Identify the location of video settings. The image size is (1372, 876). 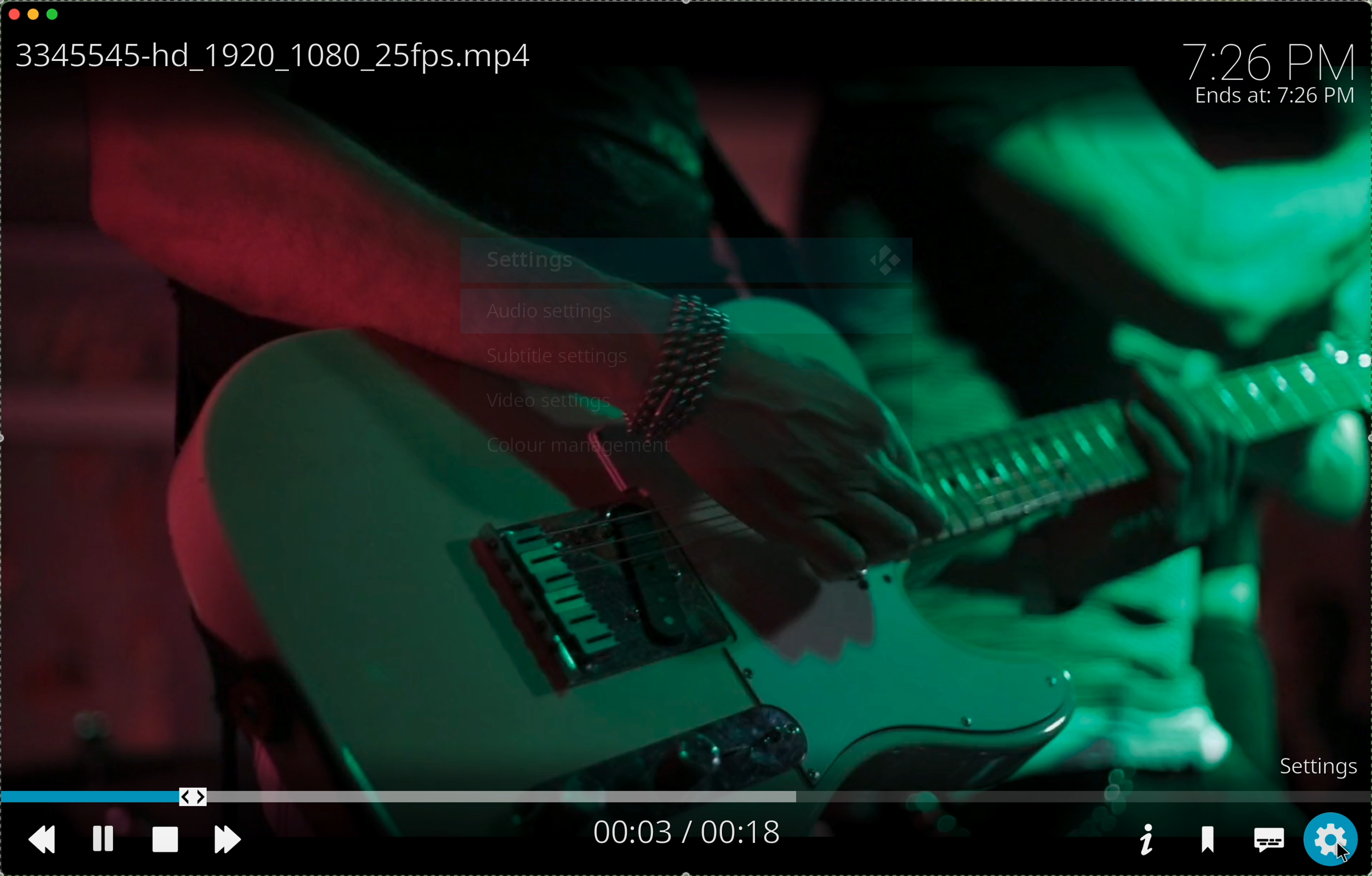
(536, 397).